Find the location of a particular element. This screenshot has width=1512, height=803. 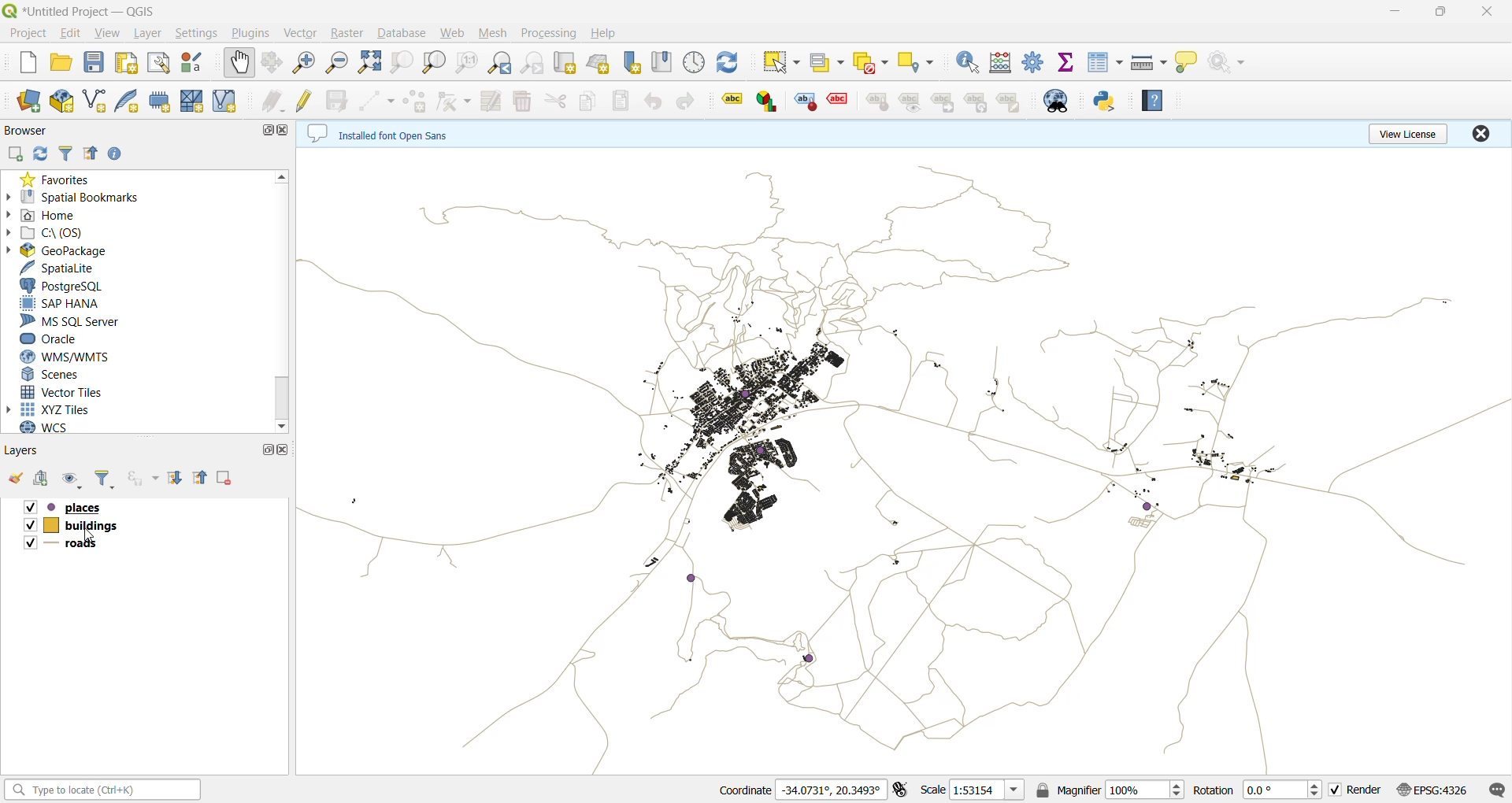

add is located at coordinates (45, 480).